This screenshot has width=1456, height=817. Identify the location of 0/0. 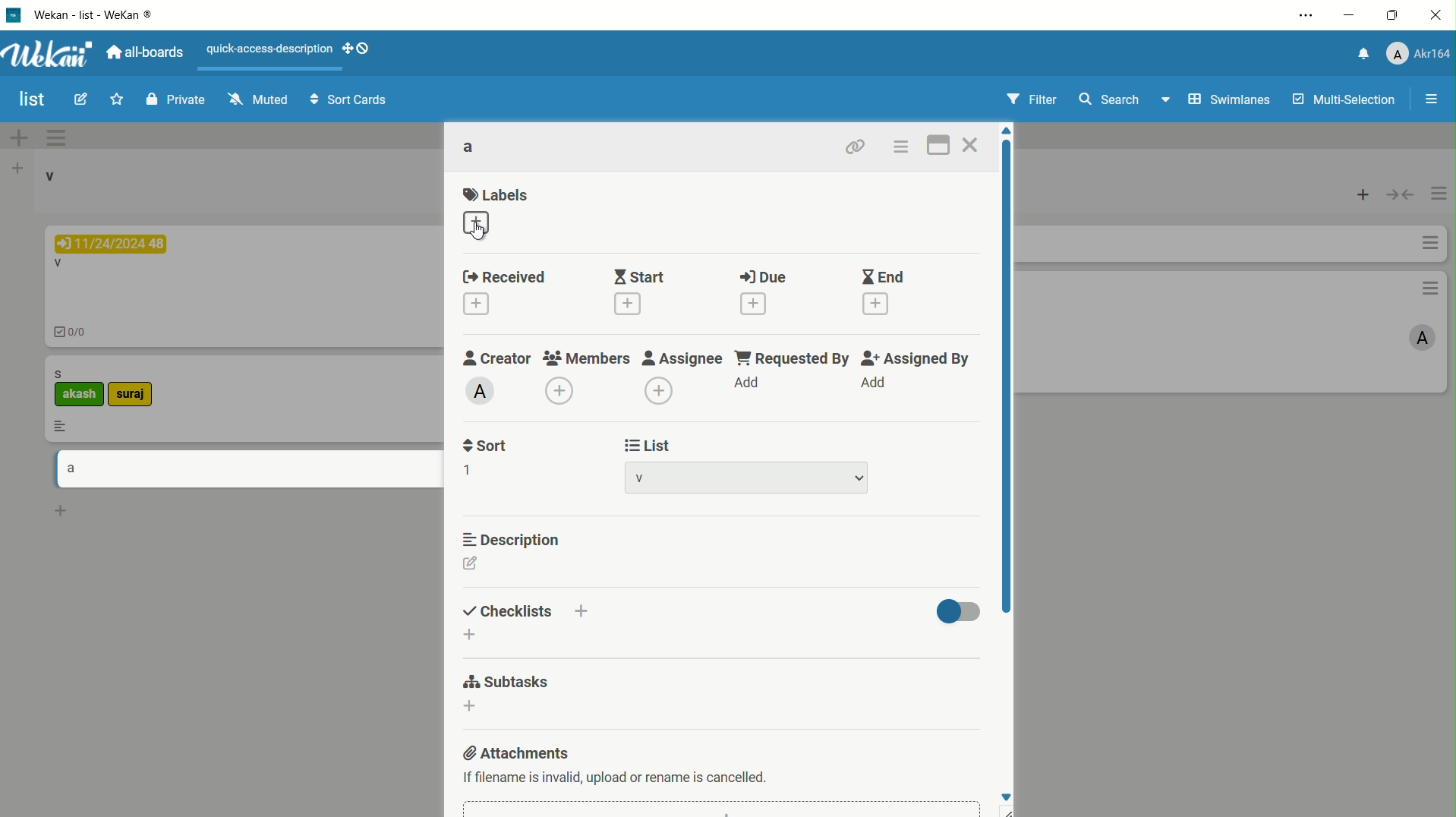
(77, 332).